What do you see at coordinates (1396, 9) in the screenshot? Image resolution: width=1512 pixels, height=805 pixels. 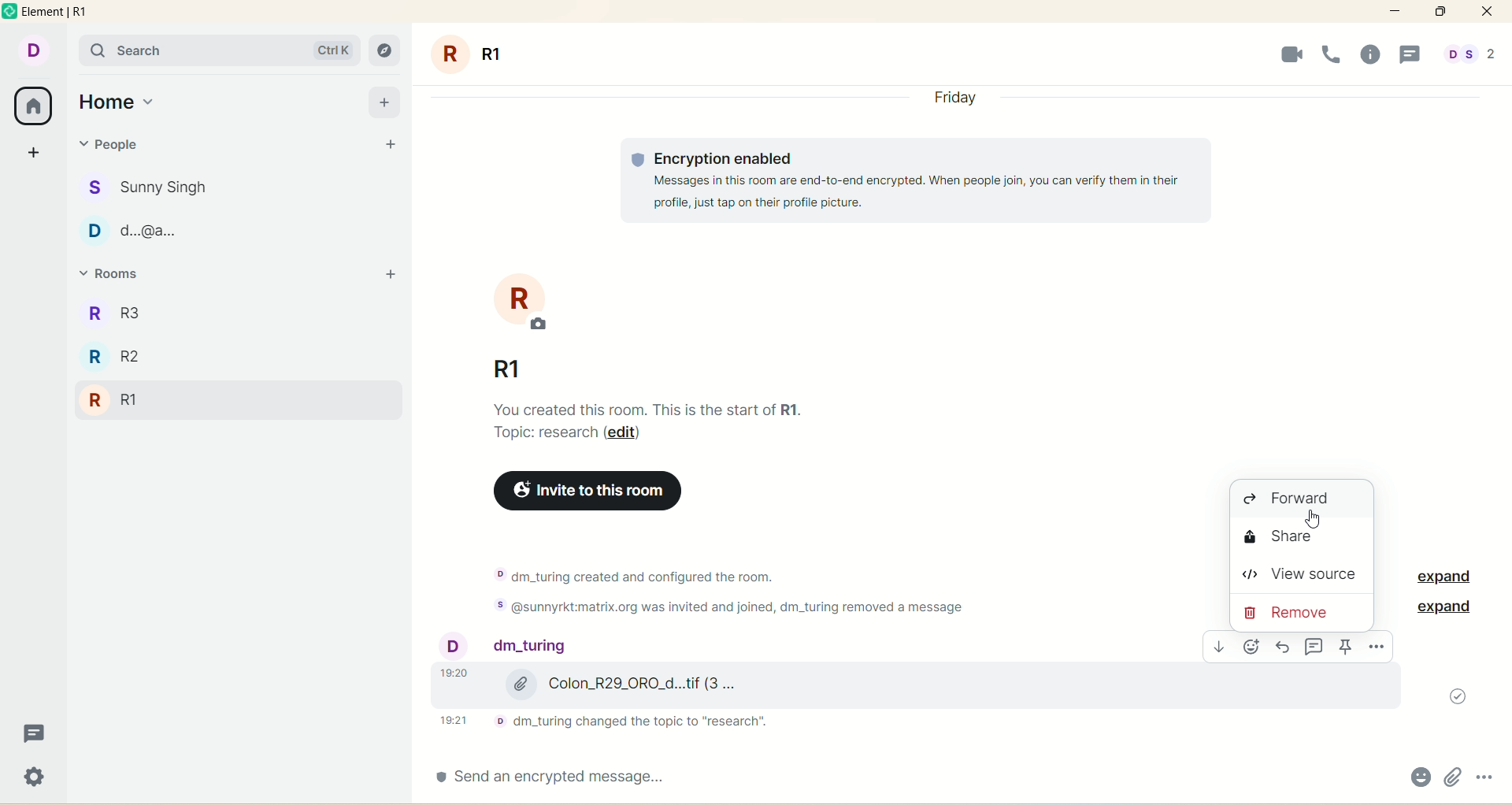 I see `minimize` at bounding box center [1396, 9].